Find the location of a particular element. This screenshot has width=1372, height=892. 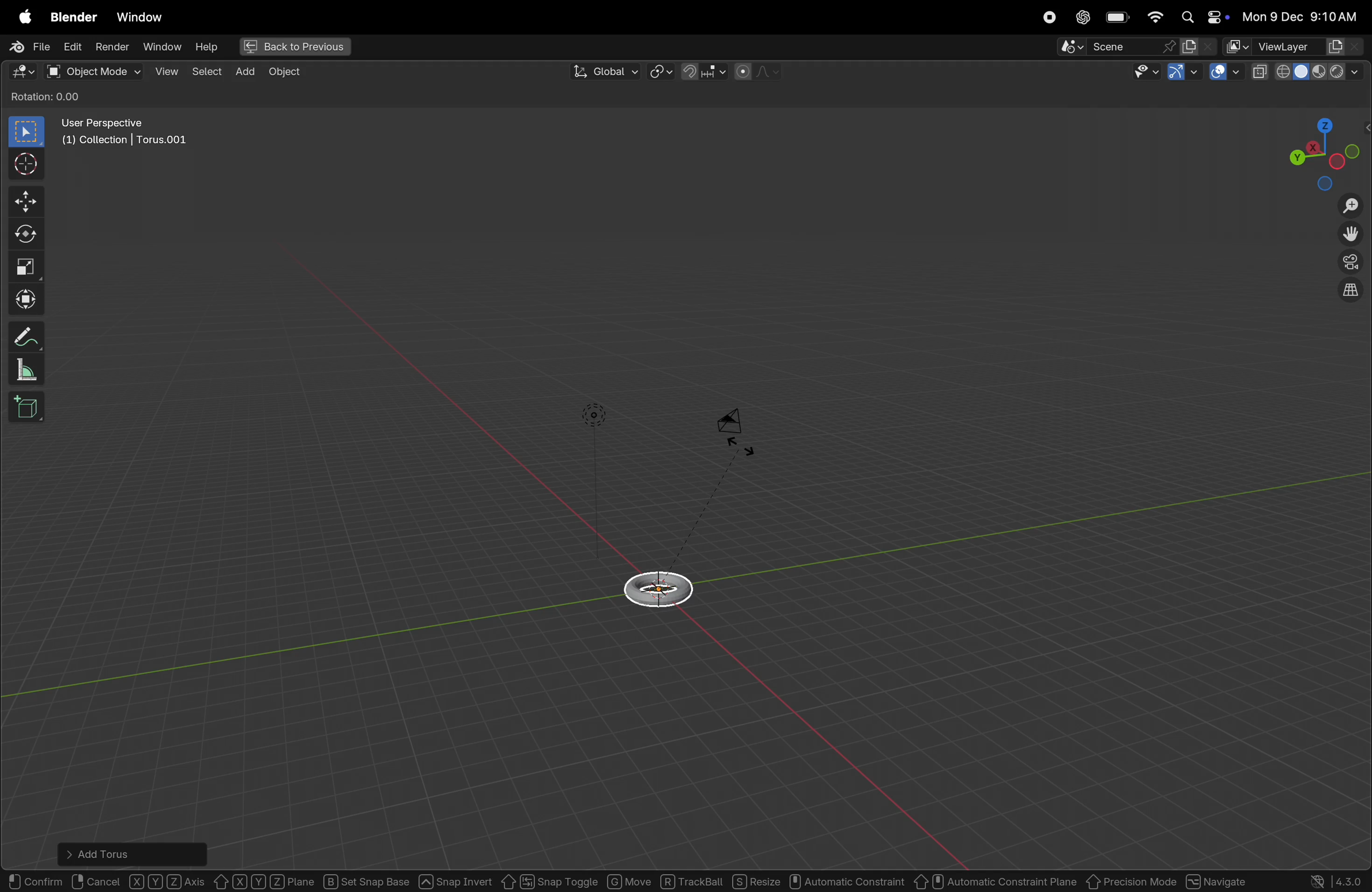

resize is located at coordinates (757, 882).